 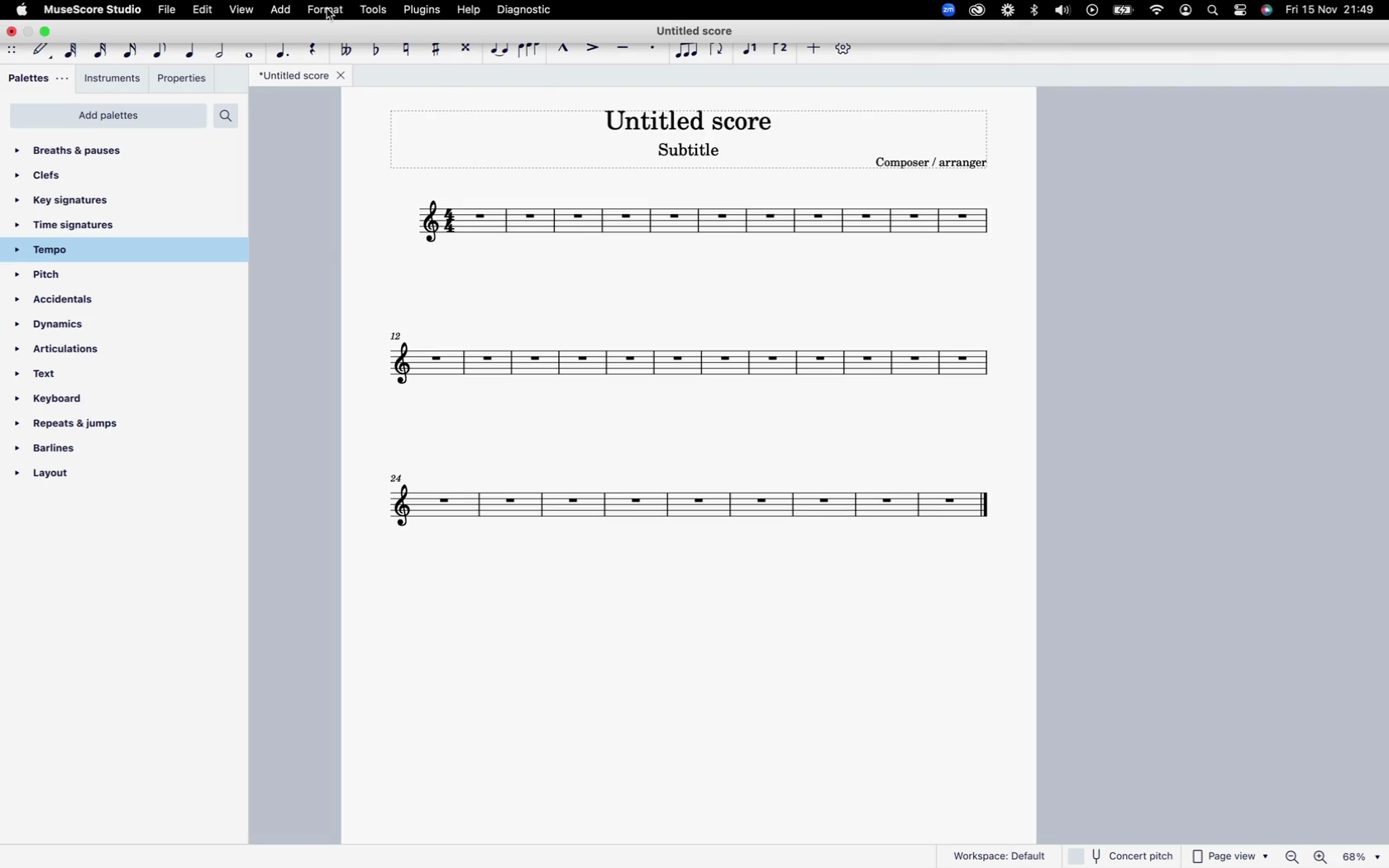 I want to click on tuplet, so click(x=687, y=51).